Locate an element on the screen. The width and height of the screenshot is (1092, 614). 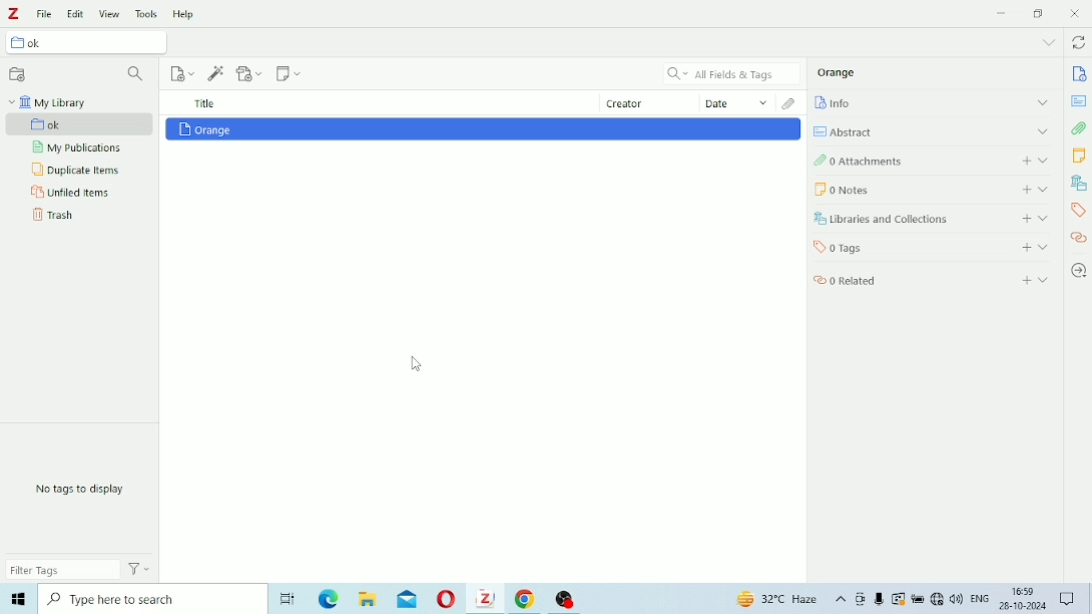
No tags to display is located at coordinates (80, 489).